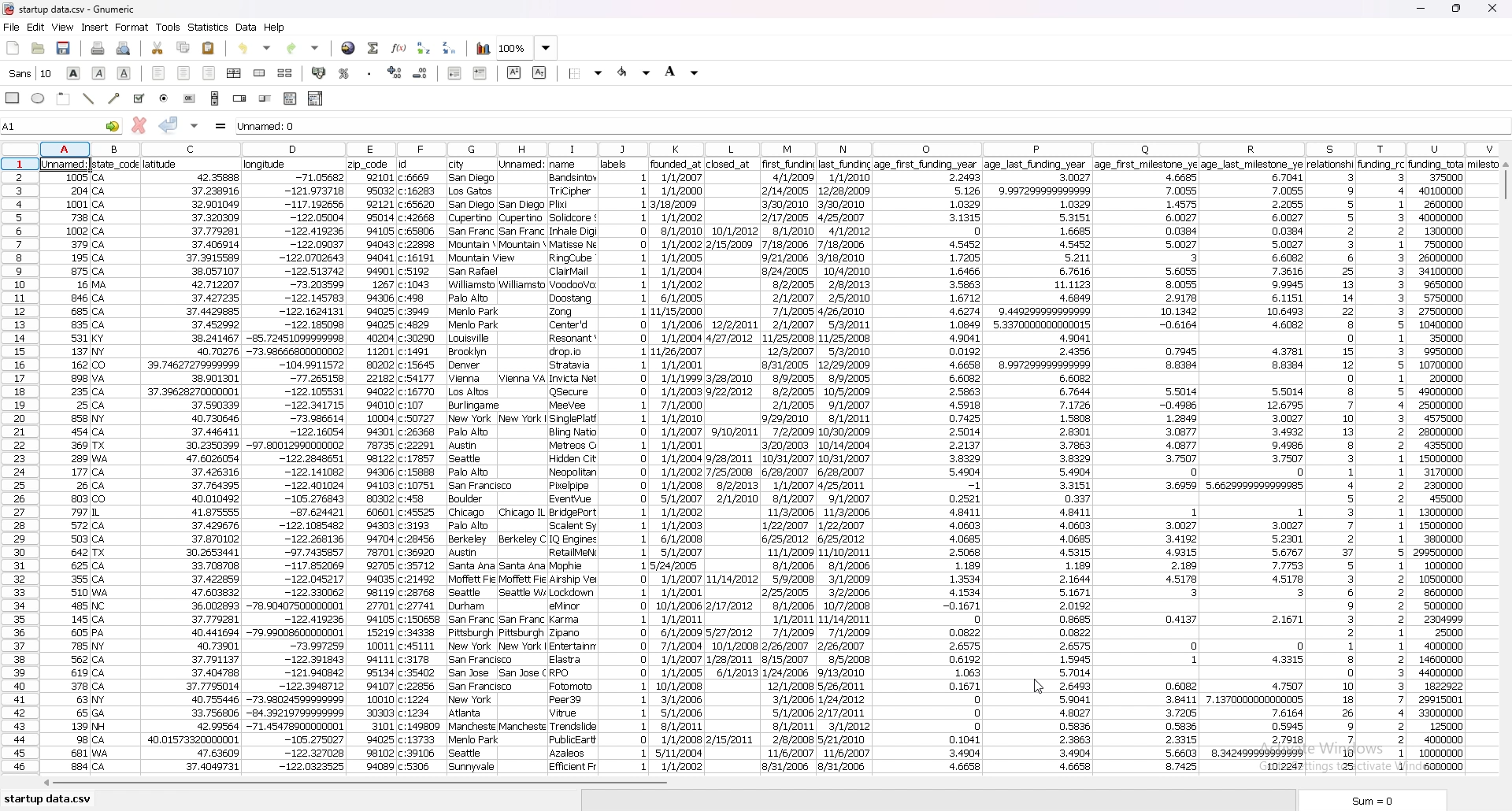  Describe the element at coordinates (424, 48) in the screenshot. I see `sort ascending` at that location.